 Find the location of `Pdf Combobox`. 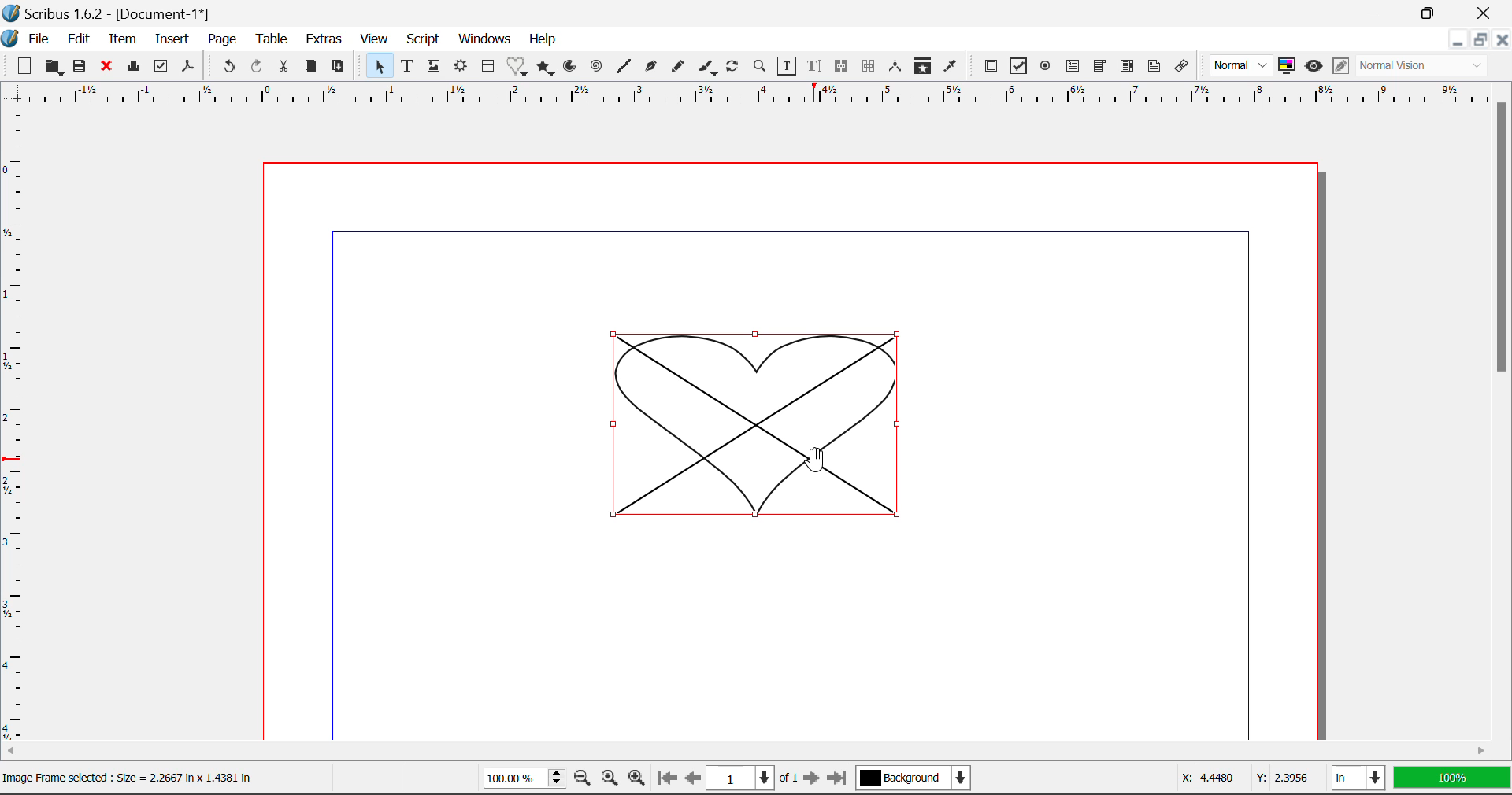

Pdf Combobox is located at coordinates (1101, 68).